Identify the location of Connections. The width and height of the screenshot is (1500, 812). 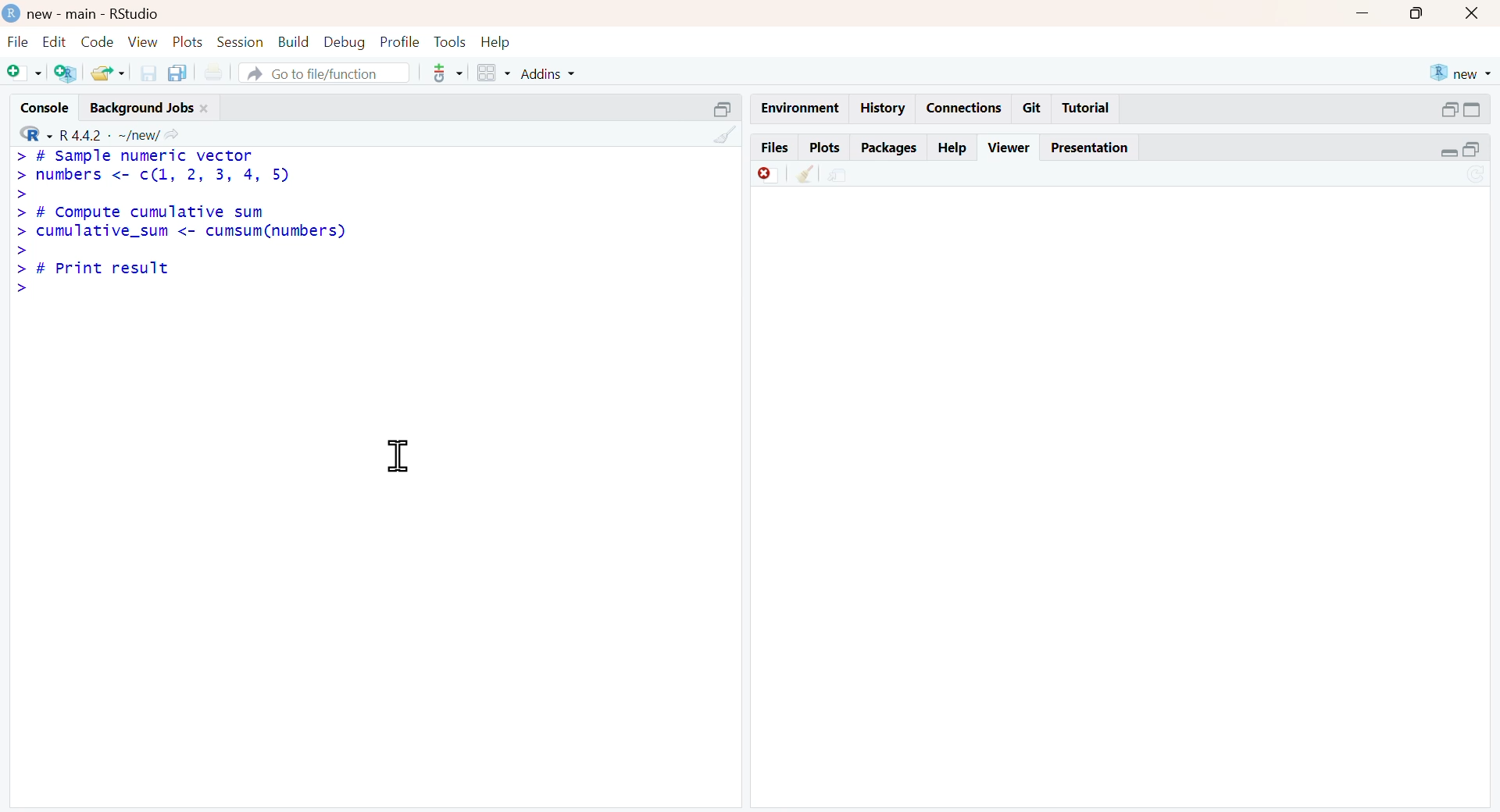
(967, 109).